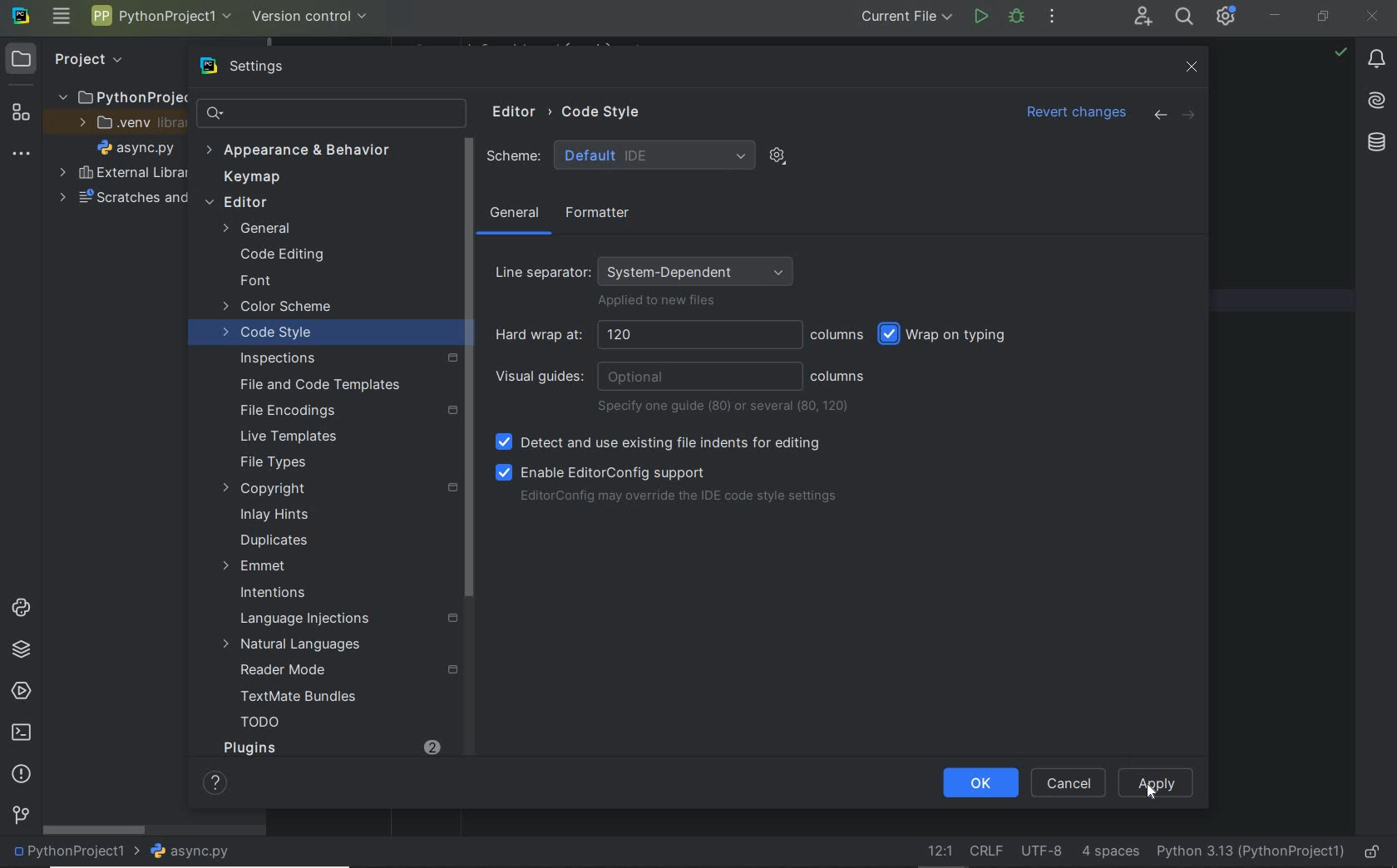 This screenshot has height=868, width=1397. Describe the element at coordinates (23, 733) in the screenshot. I see `terminal` at that location.